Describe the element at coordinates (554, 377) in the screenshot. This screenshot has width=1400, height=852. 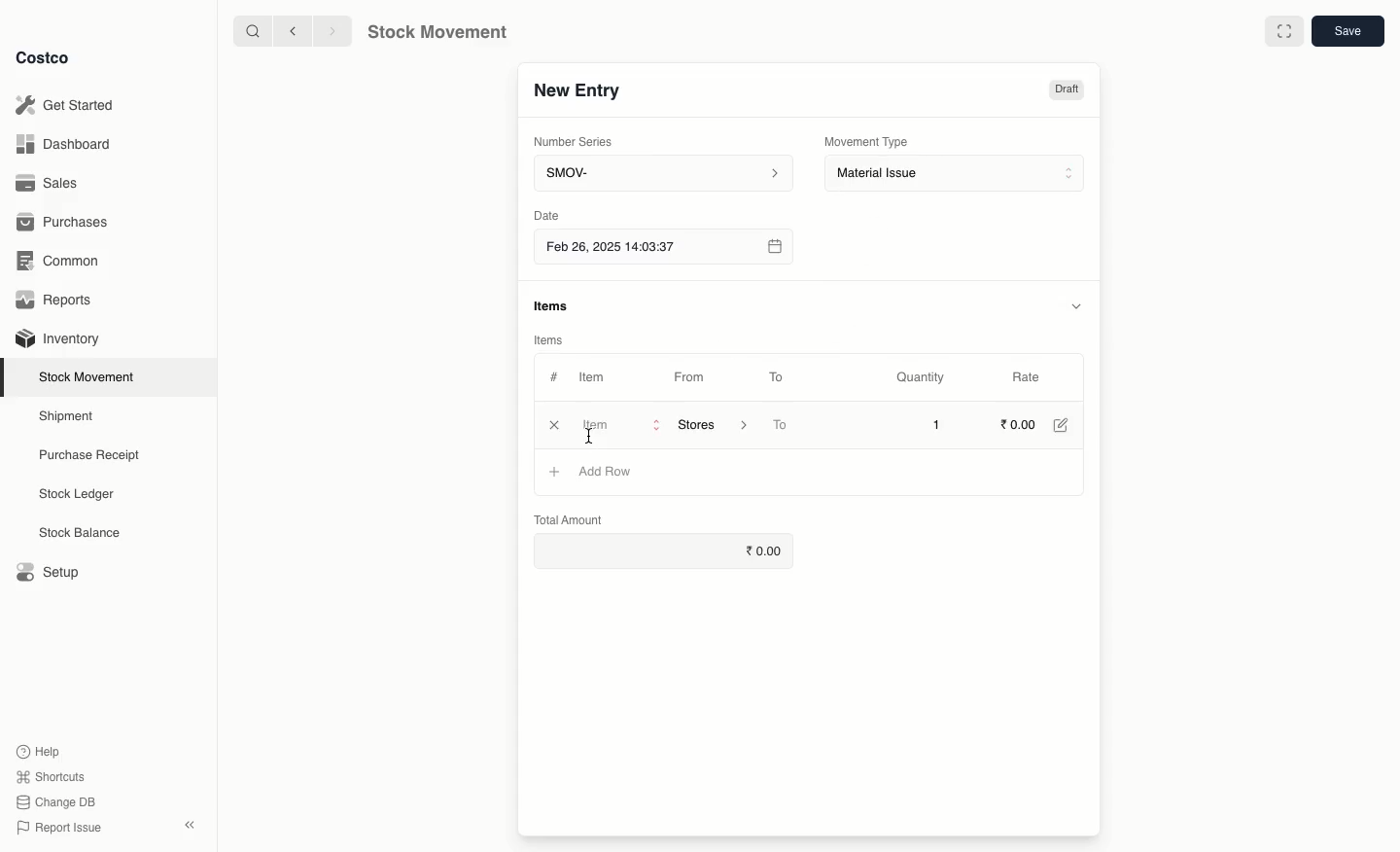
I see `#` at that location.